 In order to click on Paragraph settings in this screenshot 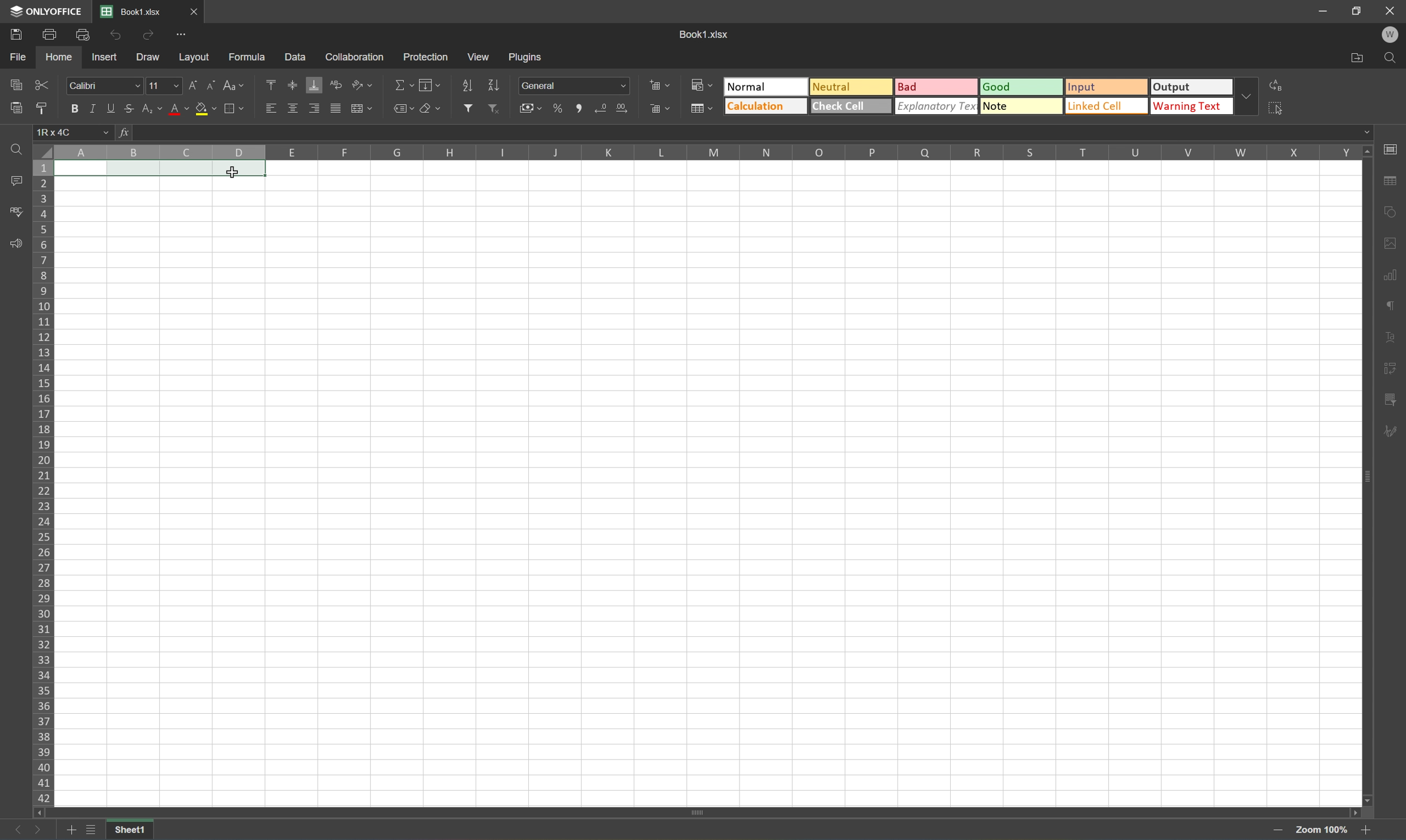, I will do `click(1388, 306)`.